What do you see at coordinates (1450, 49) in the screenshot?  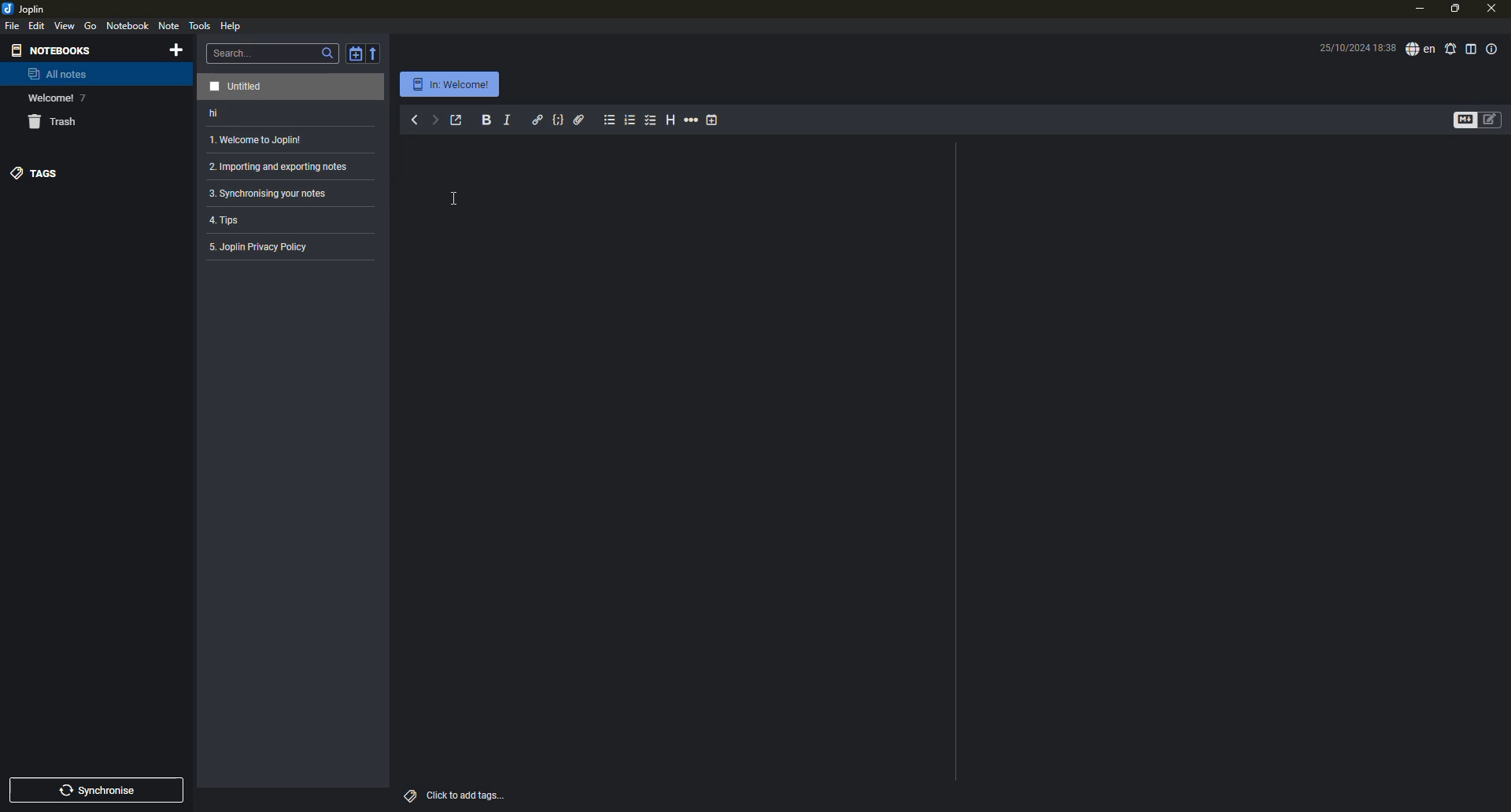 I see `set alarm` at bounding box center [1450, 49].